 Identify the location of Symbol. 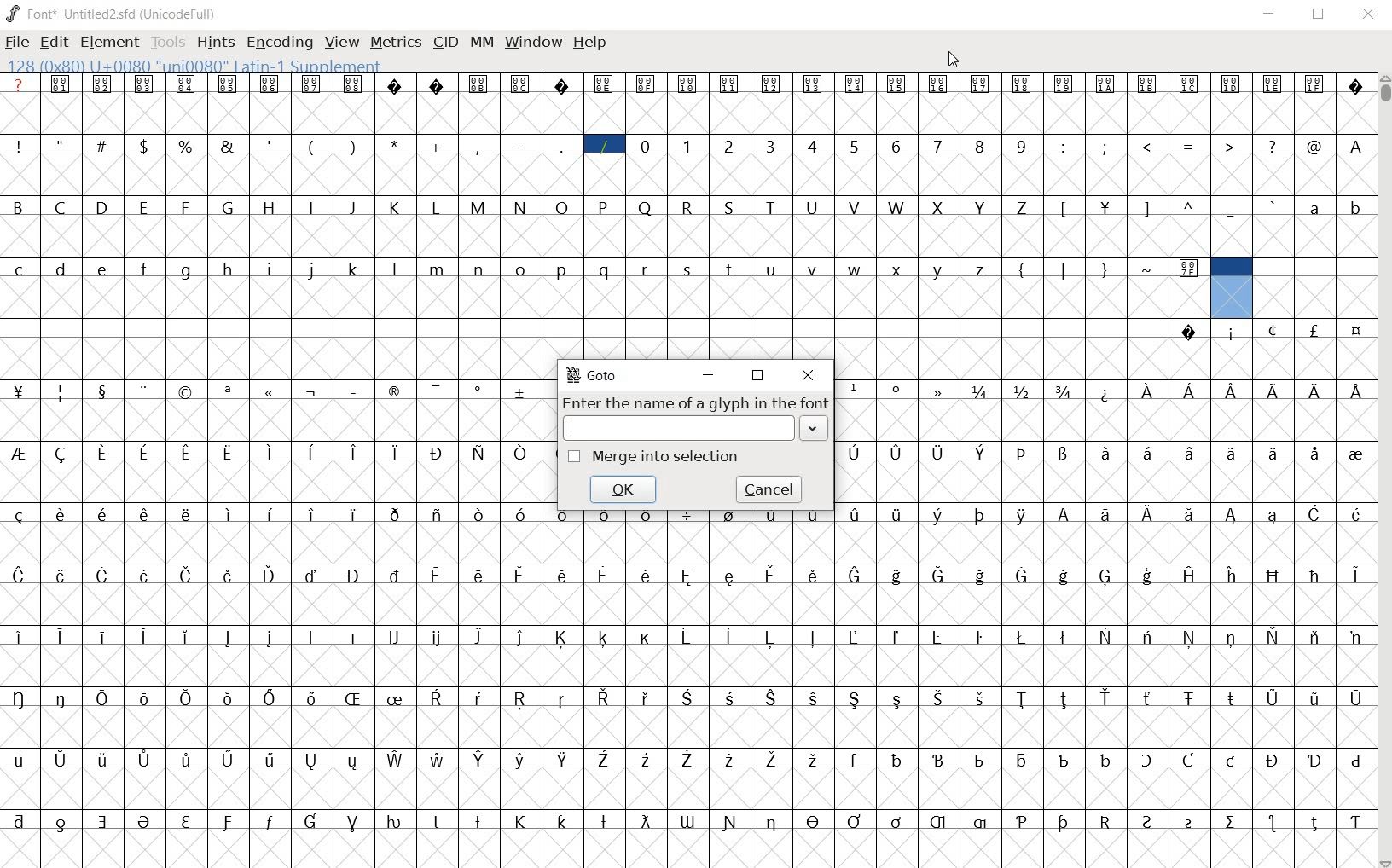
(983, 84).